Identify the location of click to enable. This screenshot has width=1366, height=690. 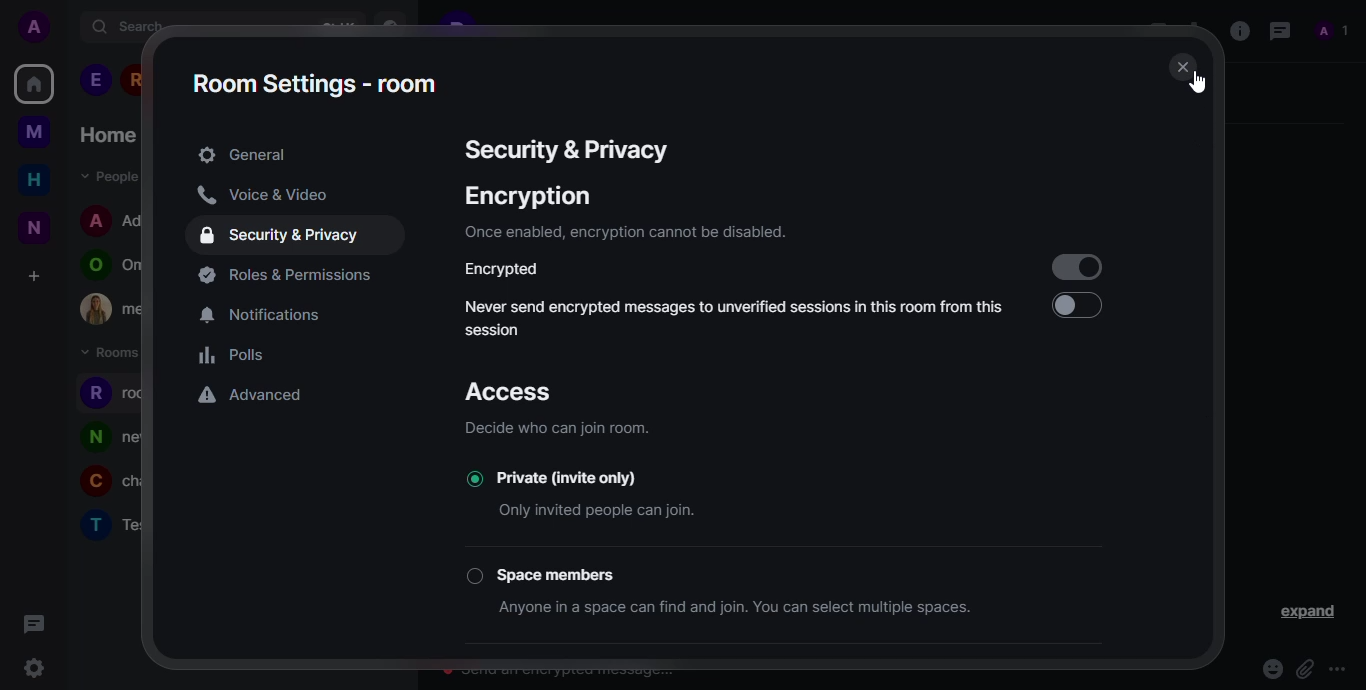
(1095, 312).